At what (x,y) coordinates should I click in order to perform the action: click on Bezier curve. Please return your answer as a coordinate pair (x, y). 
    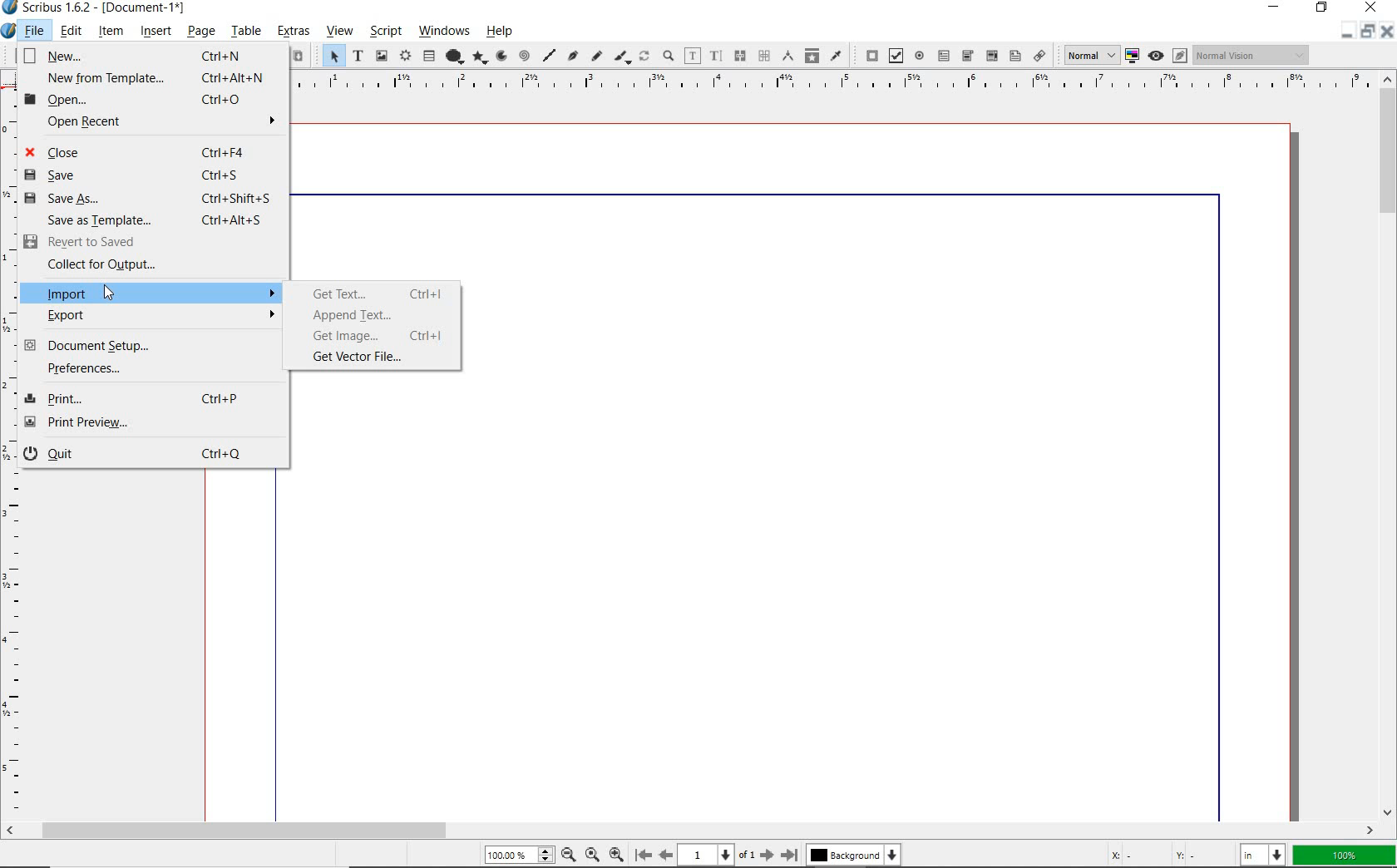
    Looking at the image, I should click on (573, 56).